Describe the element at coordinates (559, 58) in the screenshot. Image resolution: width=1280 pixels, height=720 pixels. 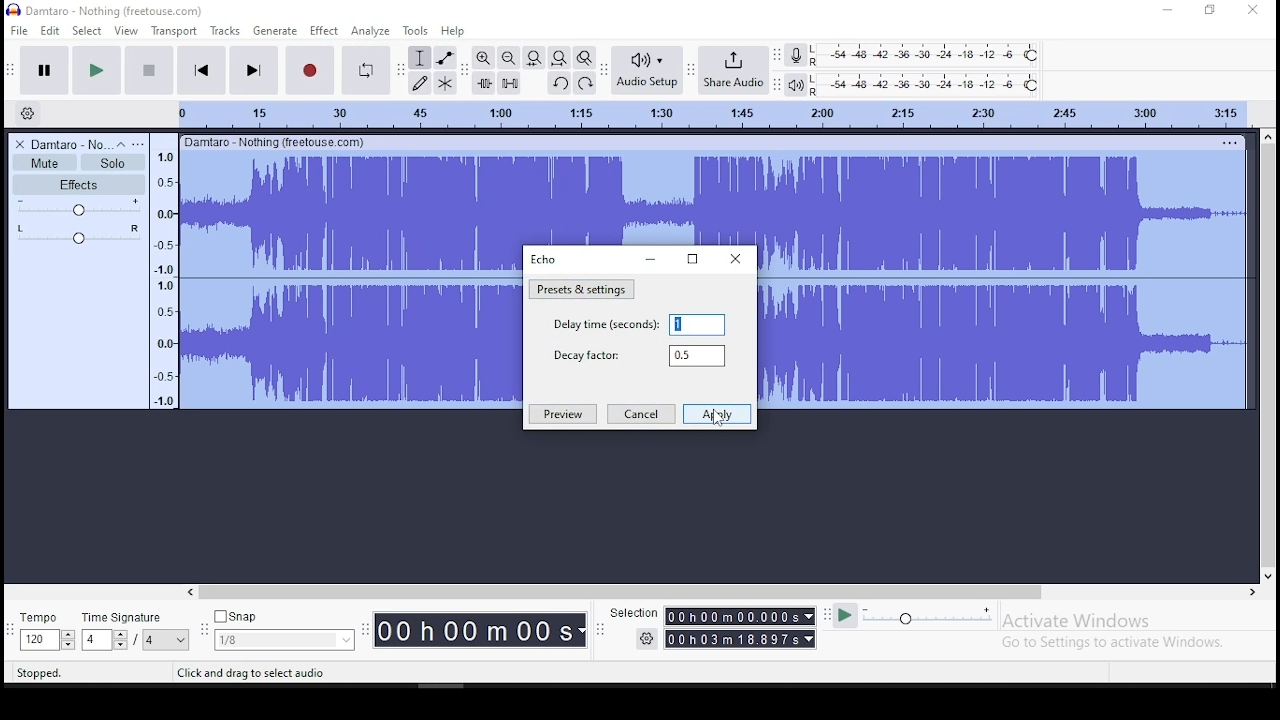
I see `fit project to width` at that location.